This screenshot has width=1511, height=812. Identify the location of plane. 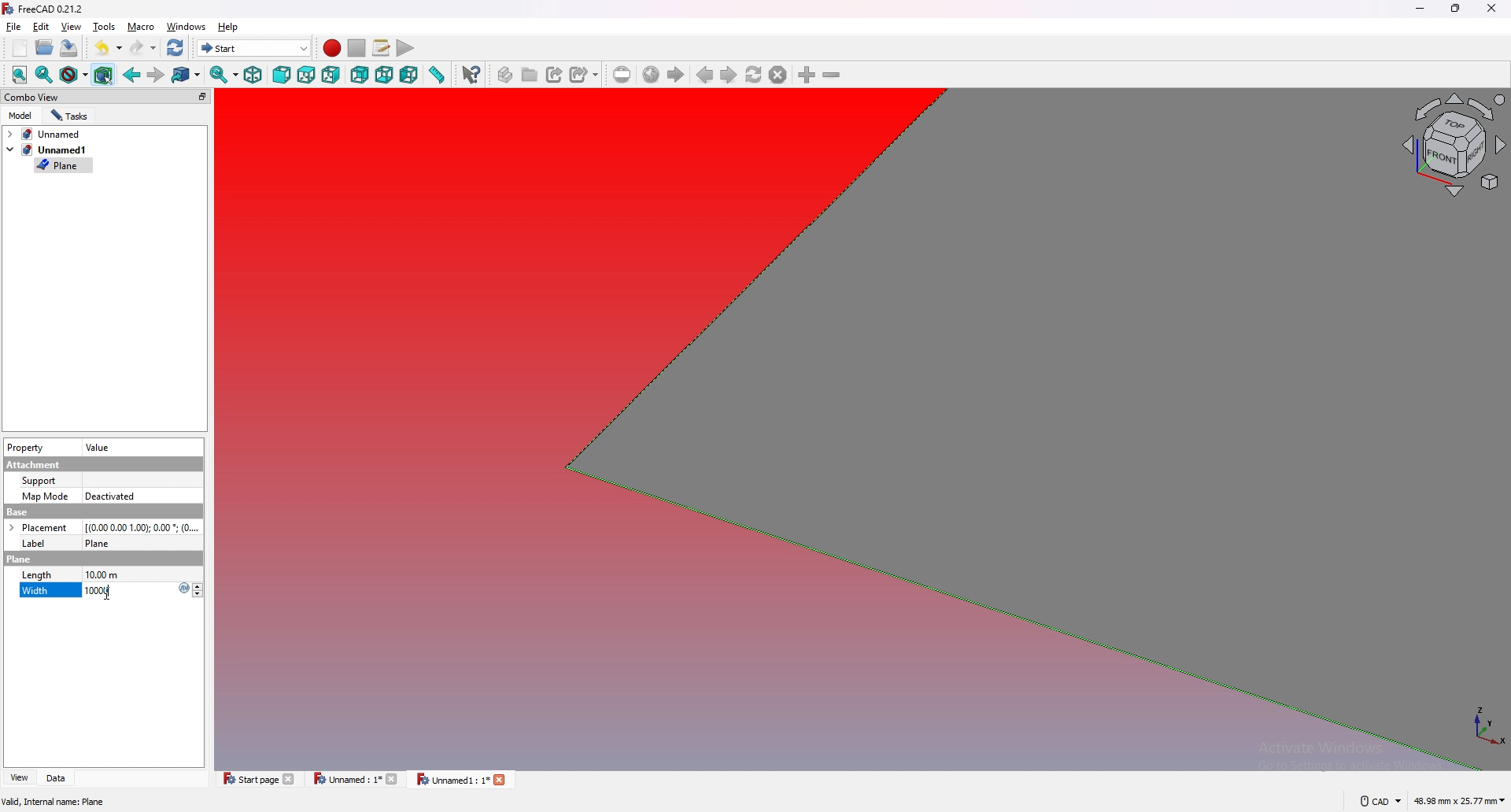
(19, 559).